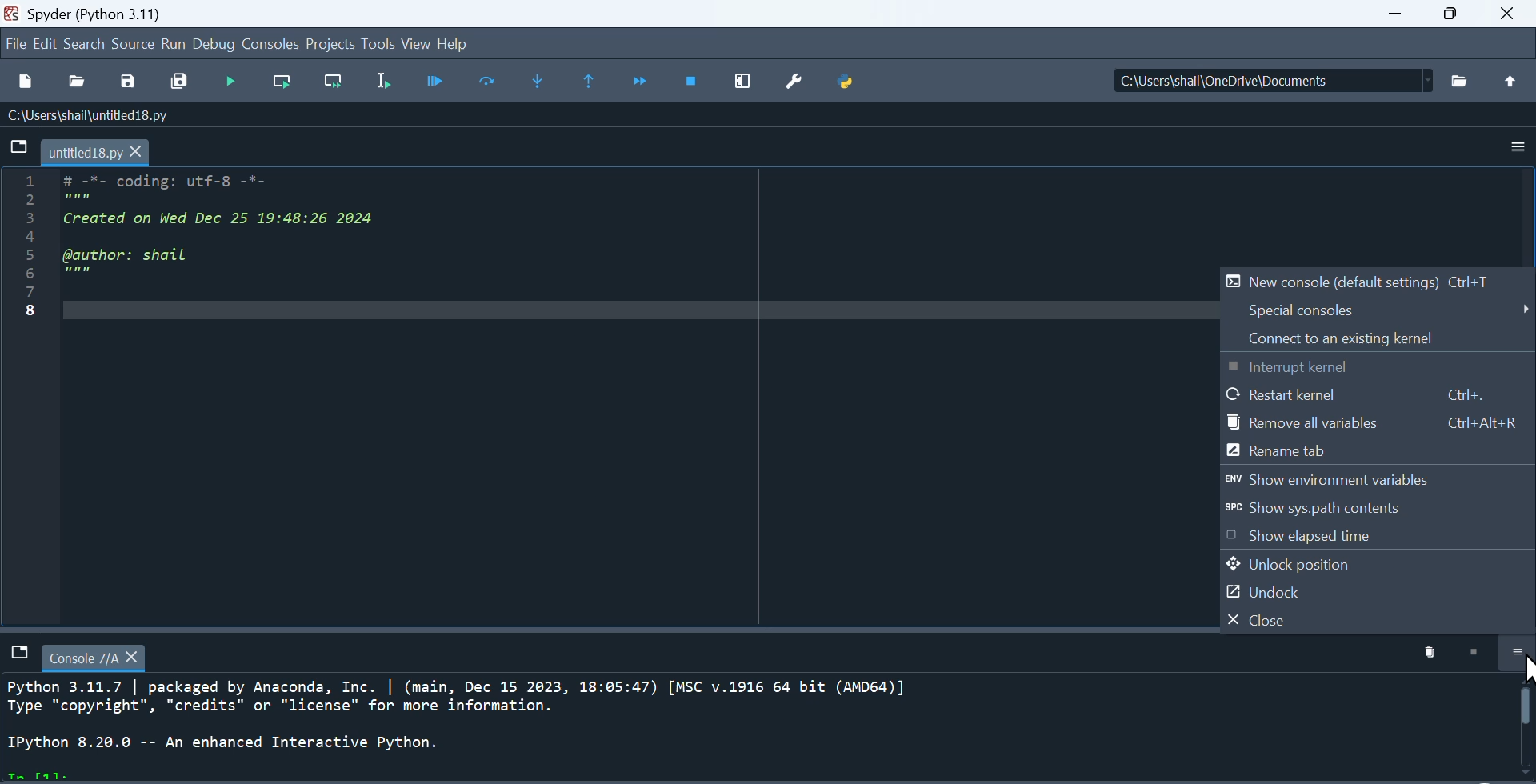 The width and height of the screenshot is (1536, 784). I want to click on restart kernel, so click(1374, 394).